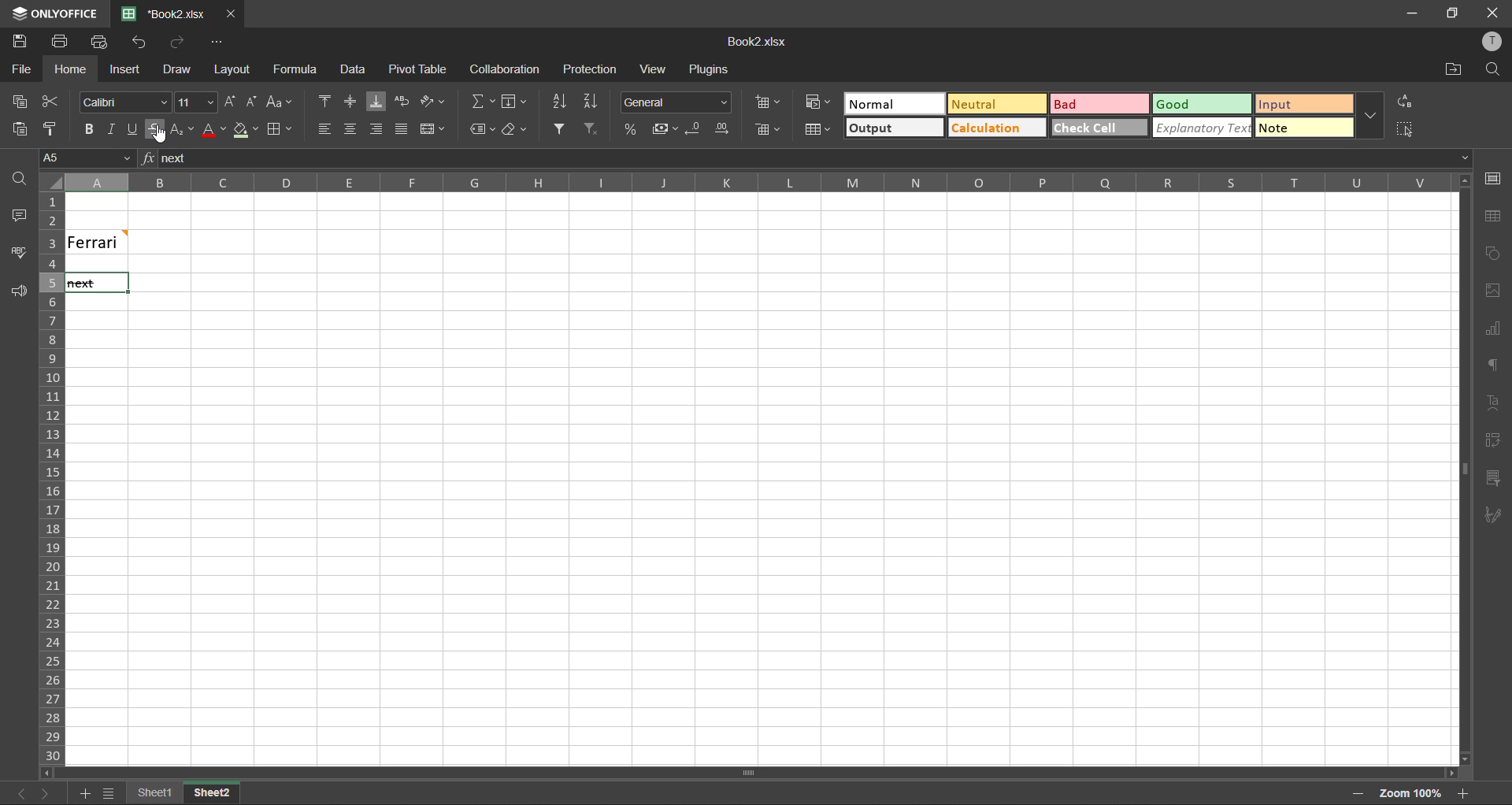  I want to click on find, so click(20, 180).